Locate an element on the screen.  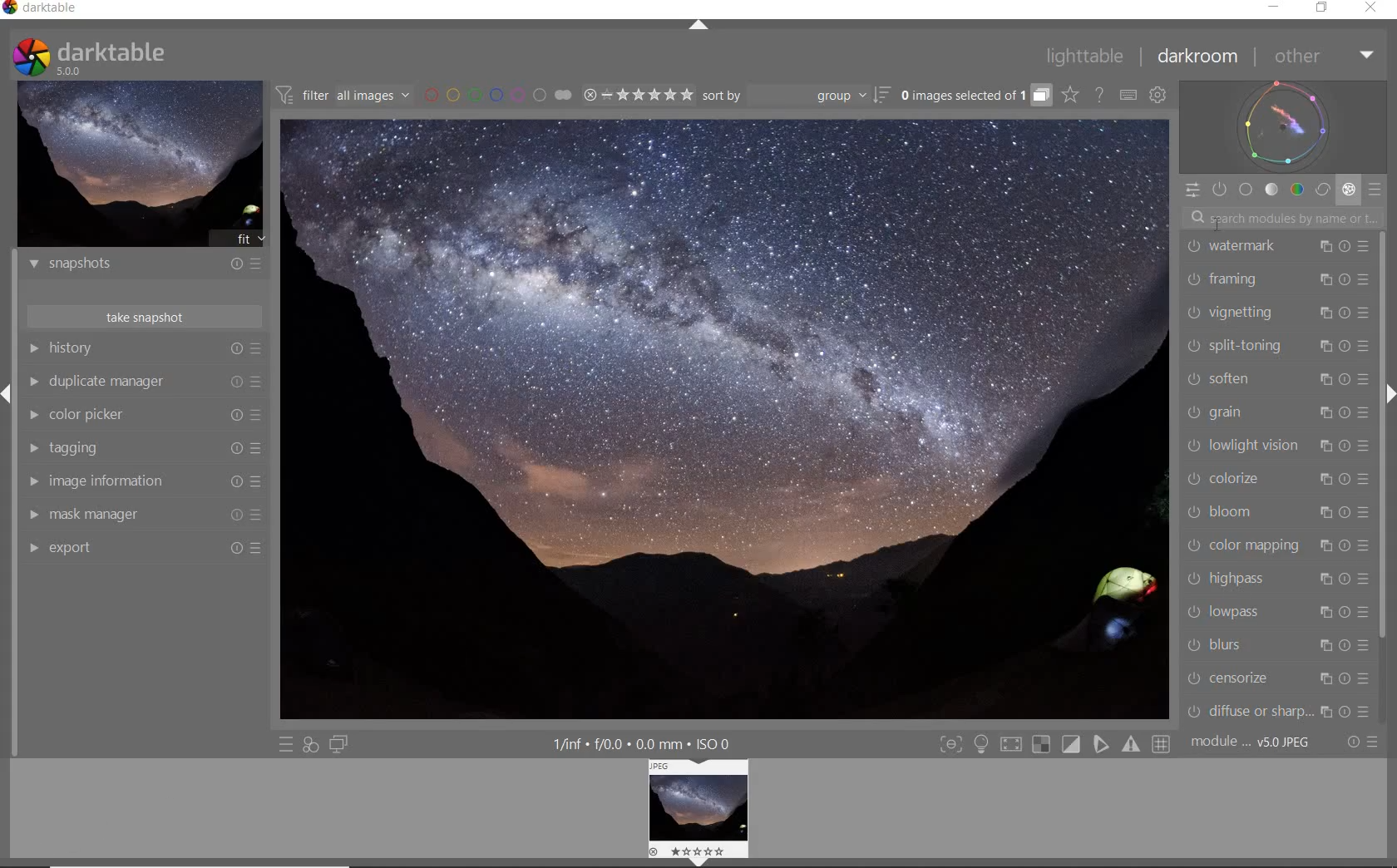
presets is located at coordinates (1367, 277).